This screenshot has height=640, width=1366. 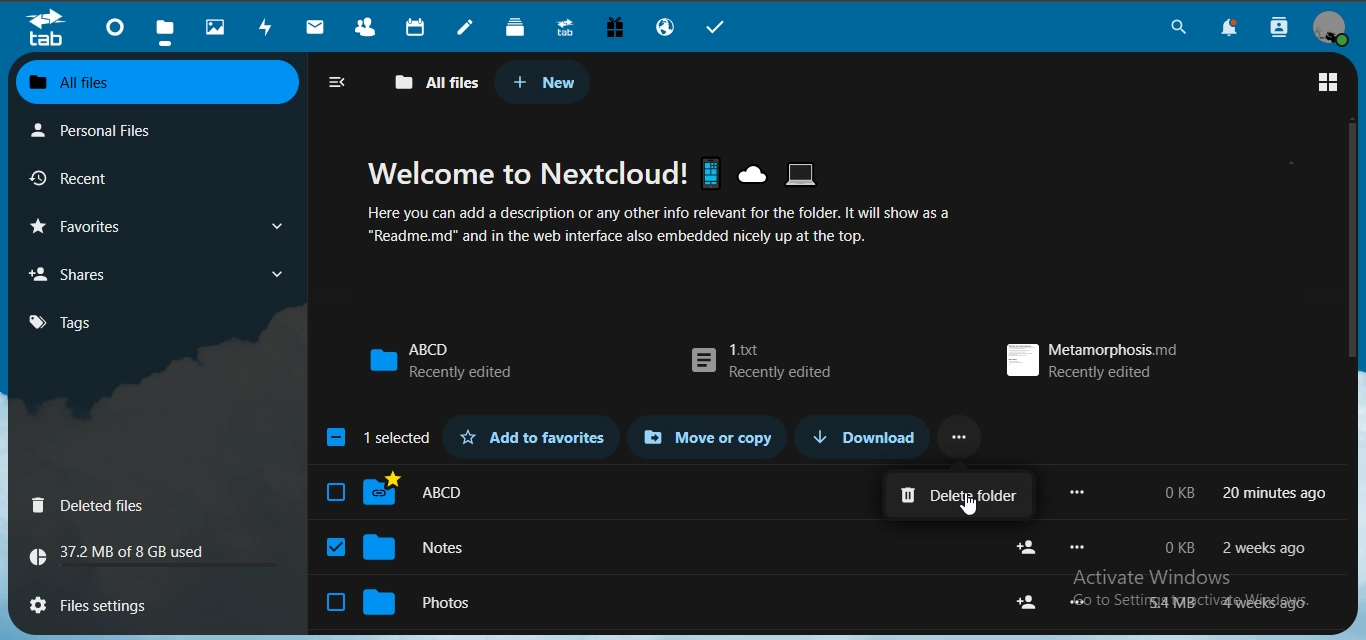 What do you see at coordinates (47, 30) in the screenshot?
I see `tab` at bounding box center [47, 30].